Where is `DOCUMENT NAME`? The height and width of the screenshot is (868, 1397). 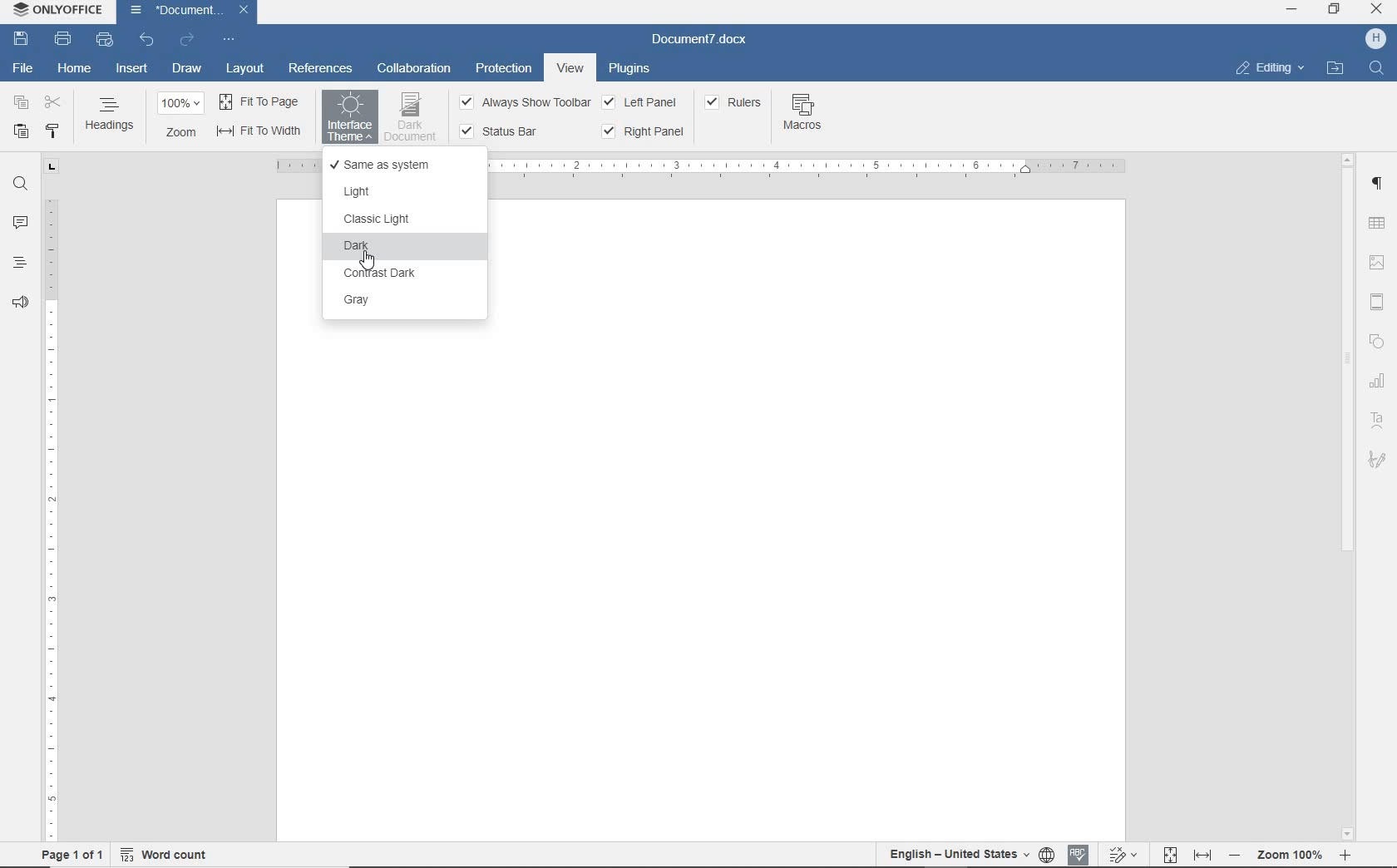 DOCUMENT NAME is located at coordinates (190, 11).